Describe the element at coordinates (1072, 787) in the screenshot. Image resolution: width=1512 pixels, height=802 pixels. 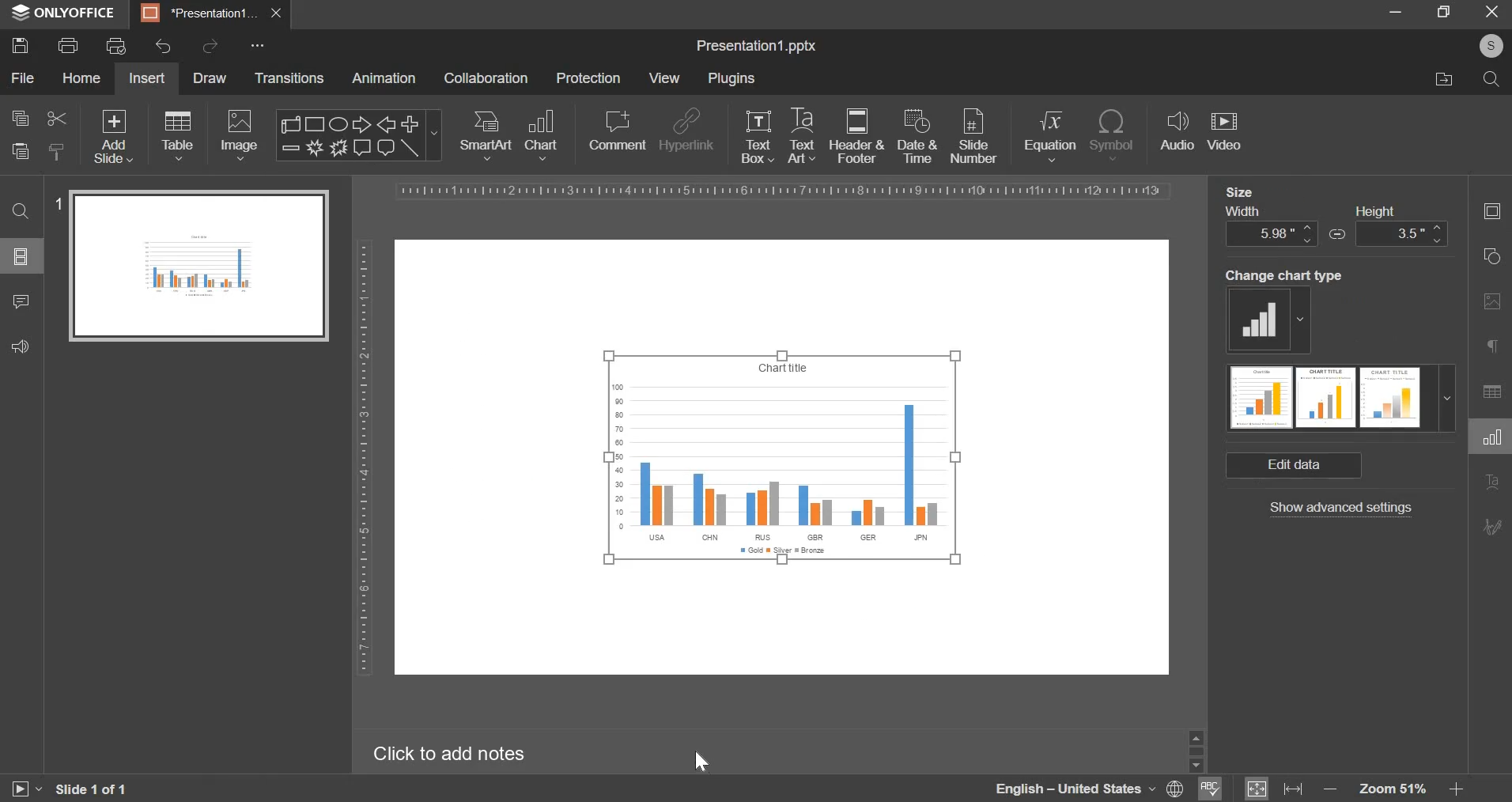
I see `english - united states` at that location.